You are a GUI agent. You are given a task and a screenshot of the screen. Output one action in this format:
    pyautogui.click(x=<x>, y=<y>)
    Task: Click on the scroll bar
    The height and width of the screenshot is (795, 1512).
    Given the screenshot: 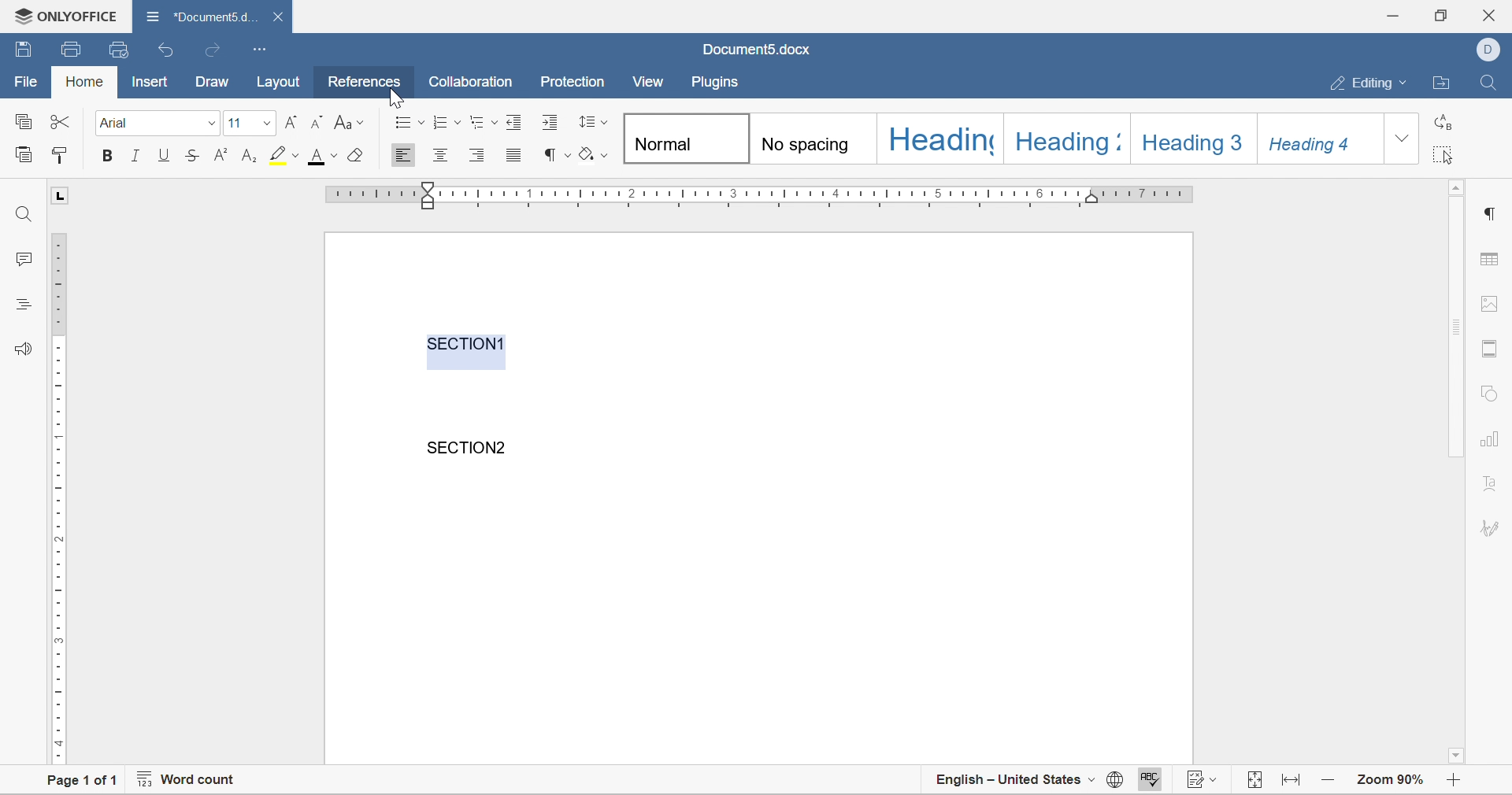 What is the action you would take?
    pyautogui.click(x=1458, y=327)
    